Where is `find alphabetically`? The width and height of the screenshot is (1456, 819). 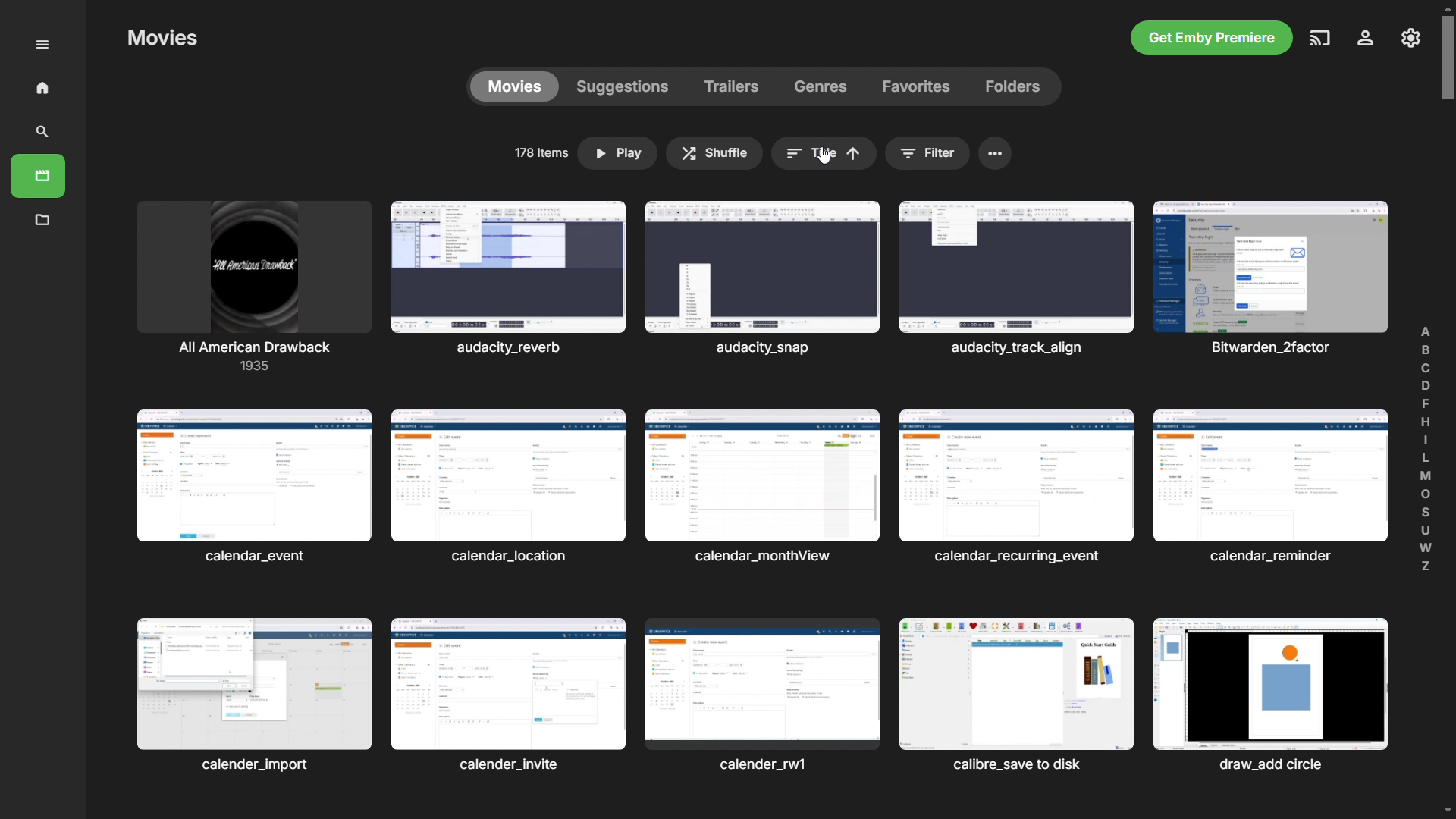 find alphabetically is located at coordinates (1424, 448).